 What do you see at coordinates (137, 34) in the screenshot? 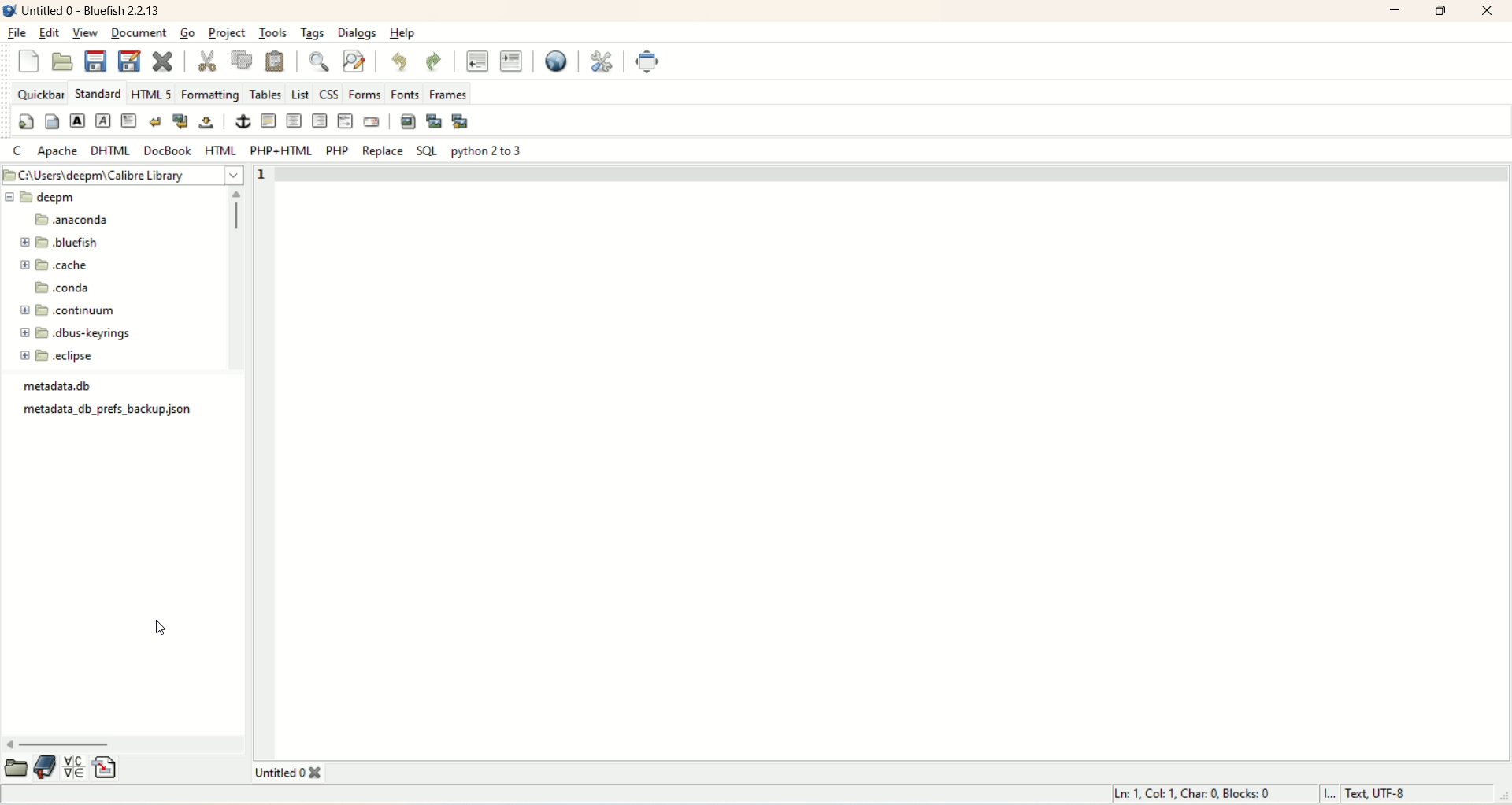
I see `document` at bounding box center [137, 34].